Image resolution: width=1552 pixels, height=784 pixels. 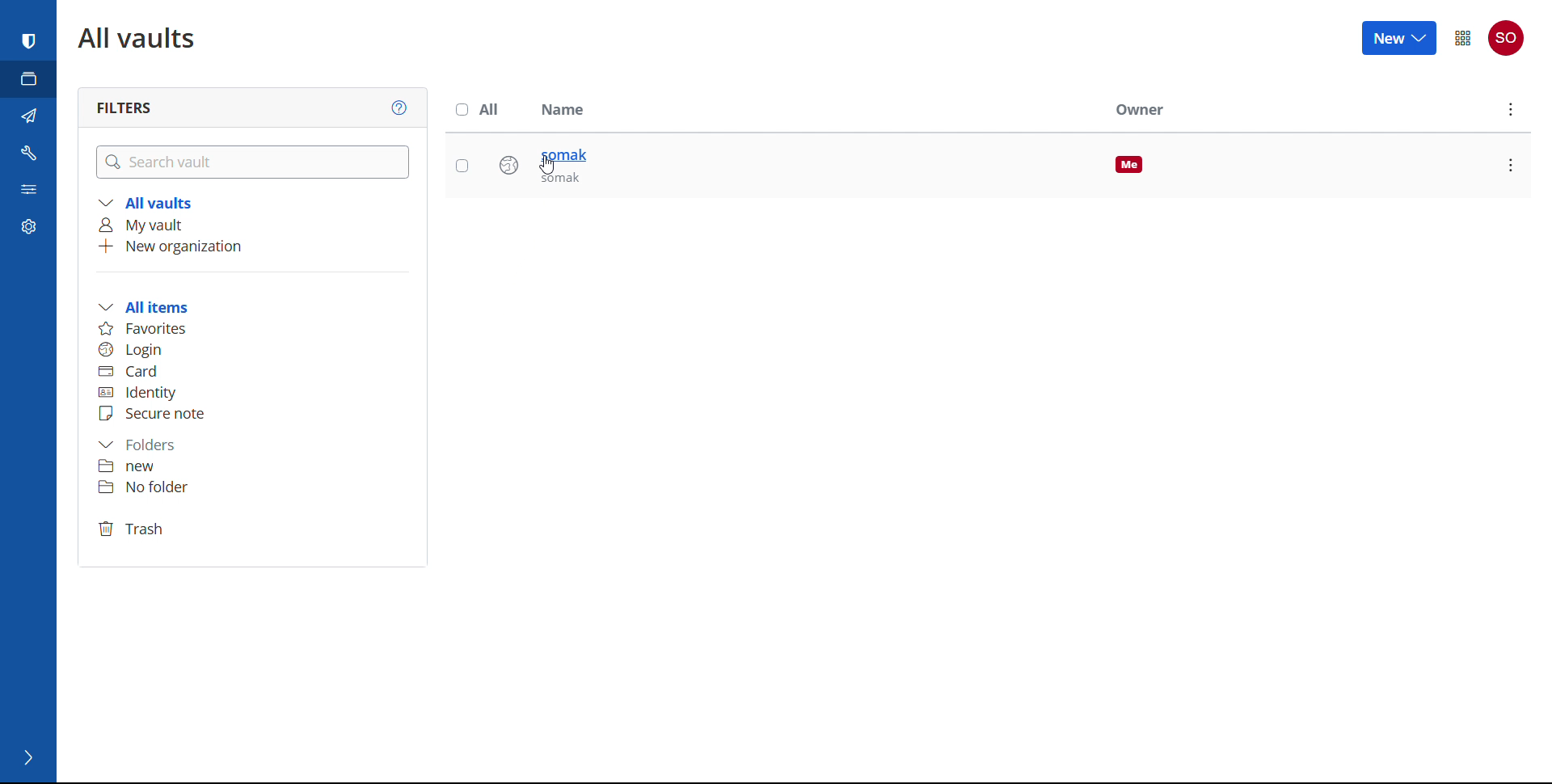 What do you see at coordinates (546, 166) in the screenshot?
I see `cursor` at bounding box center [546, 166].